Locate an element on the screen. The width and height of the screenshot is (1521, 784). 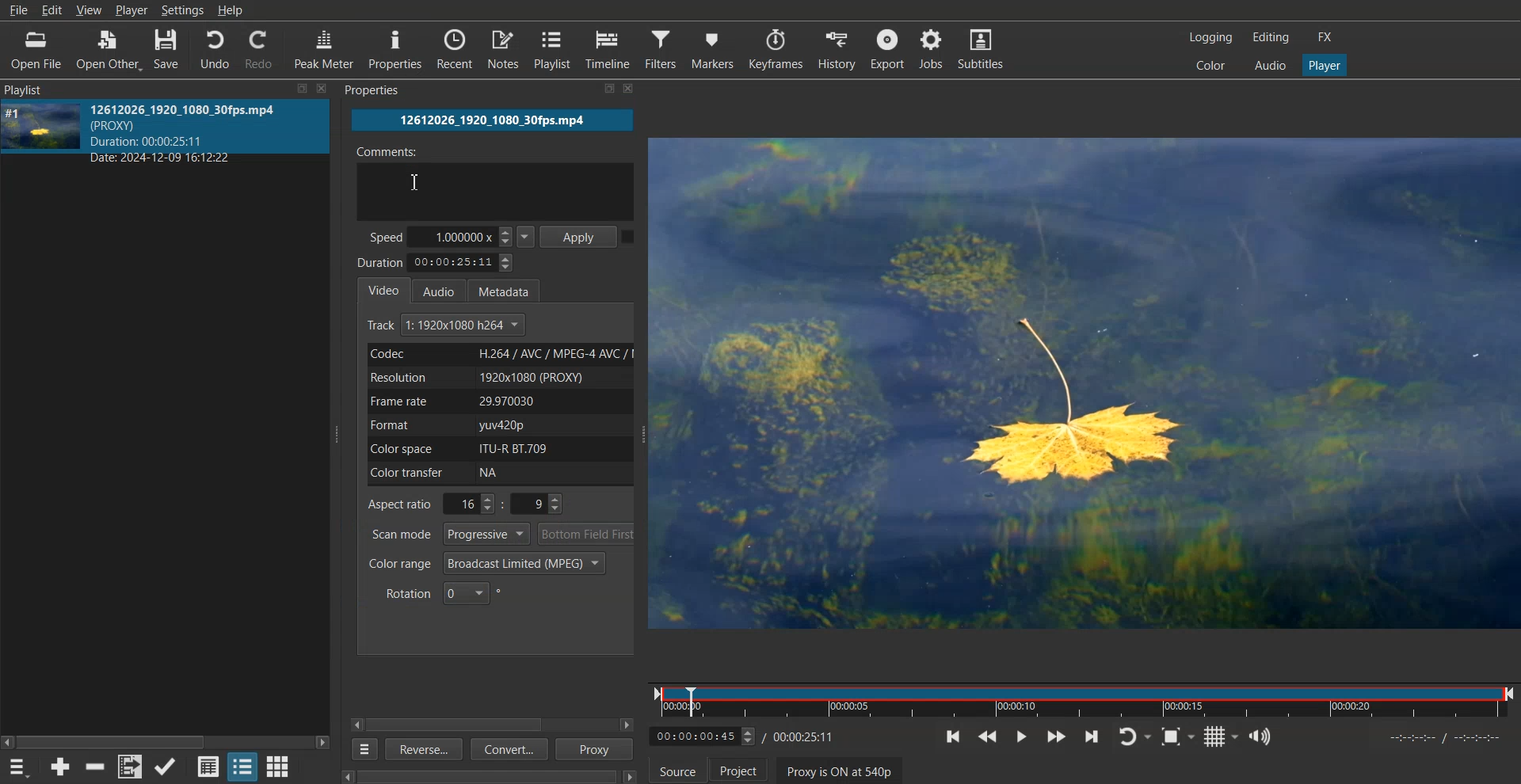
Settings is located at coordinates (182, 10).